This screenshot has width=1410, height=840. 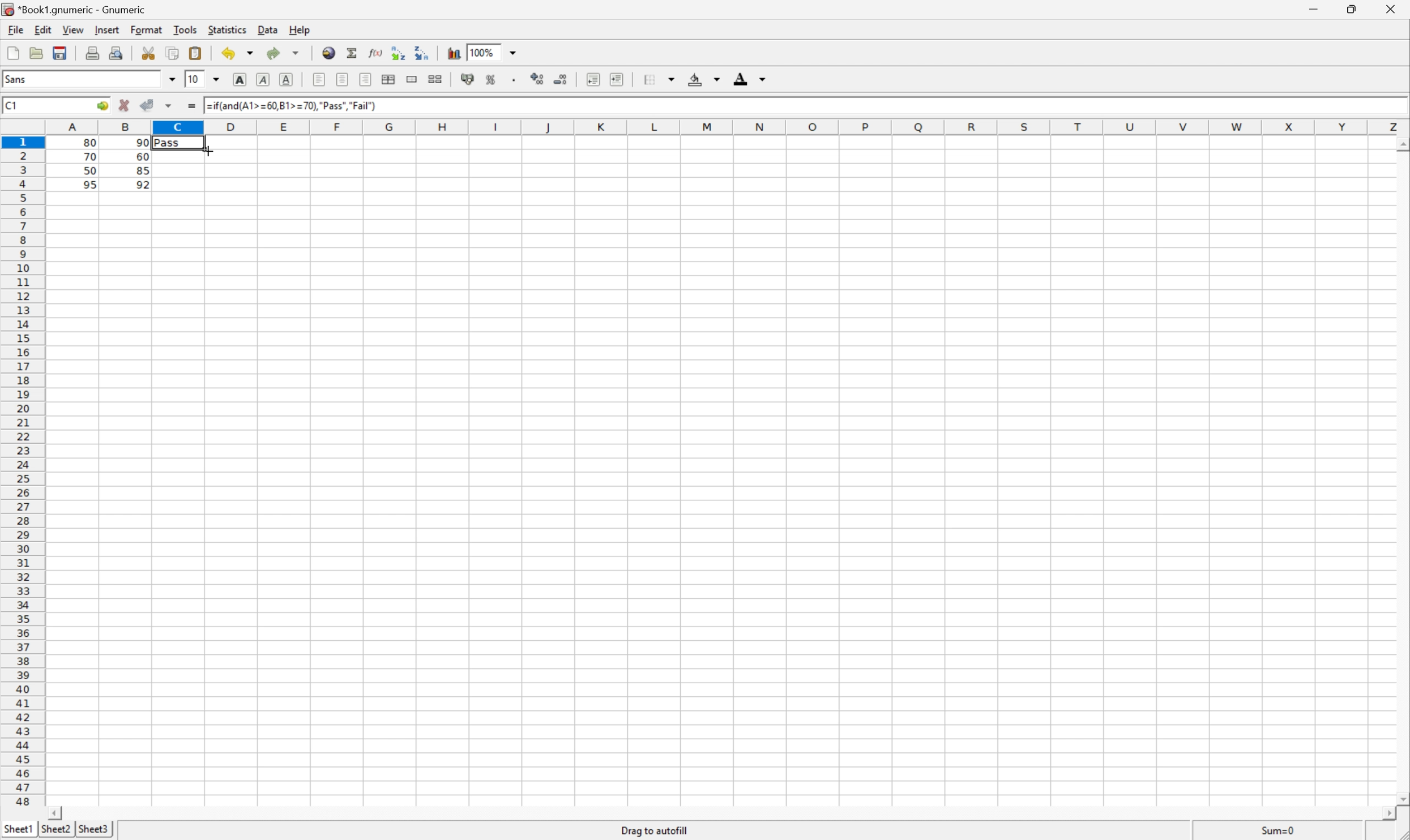 I want to click on Accept changes, so click(x=146, y=105).